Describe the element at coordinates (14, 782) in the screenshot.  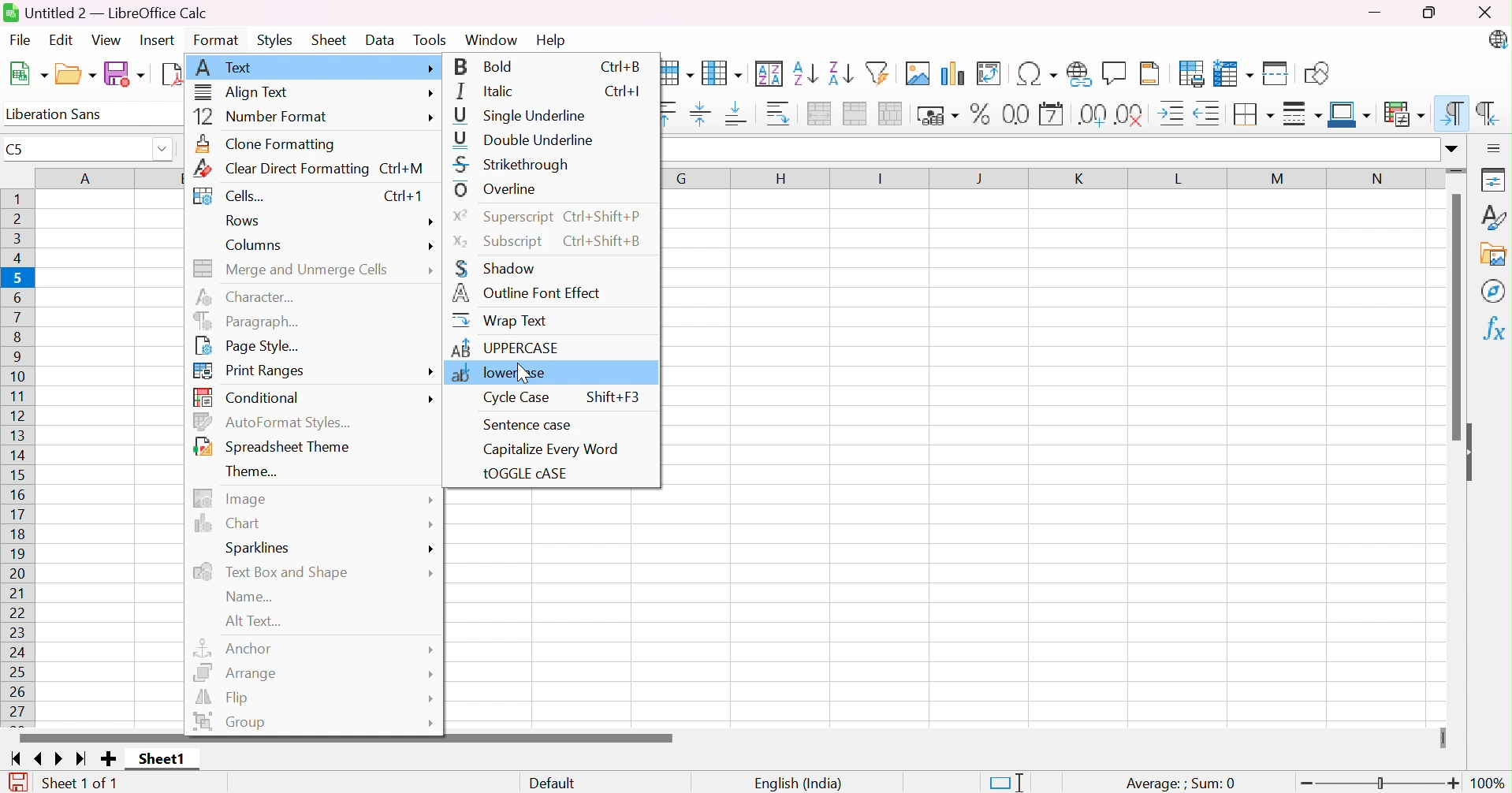
I see `The document has been modified. Click to save the document.` at that location.